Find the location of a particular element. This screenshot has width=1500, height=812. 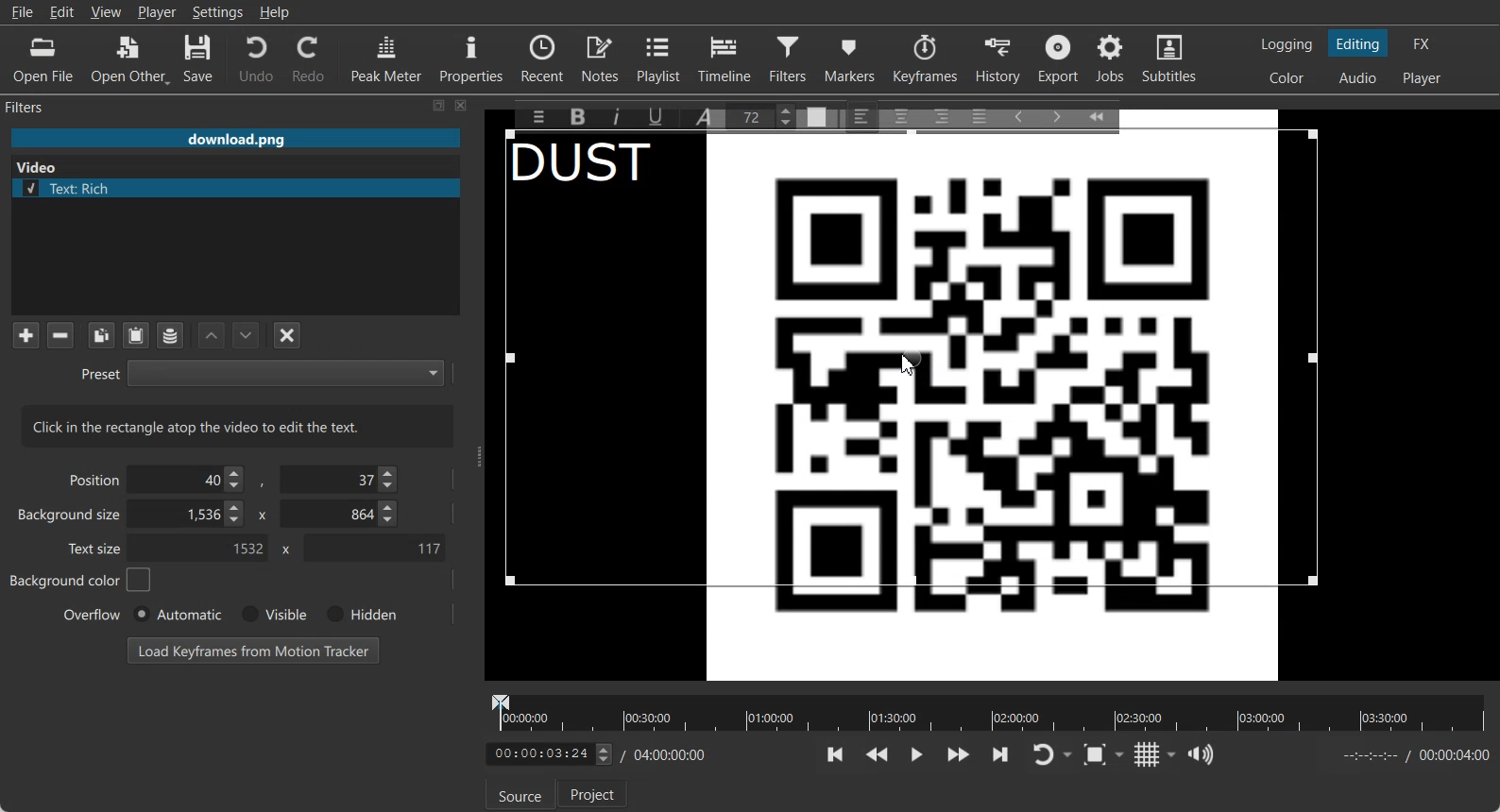

Add a filter is located at coordinates (26, 334).